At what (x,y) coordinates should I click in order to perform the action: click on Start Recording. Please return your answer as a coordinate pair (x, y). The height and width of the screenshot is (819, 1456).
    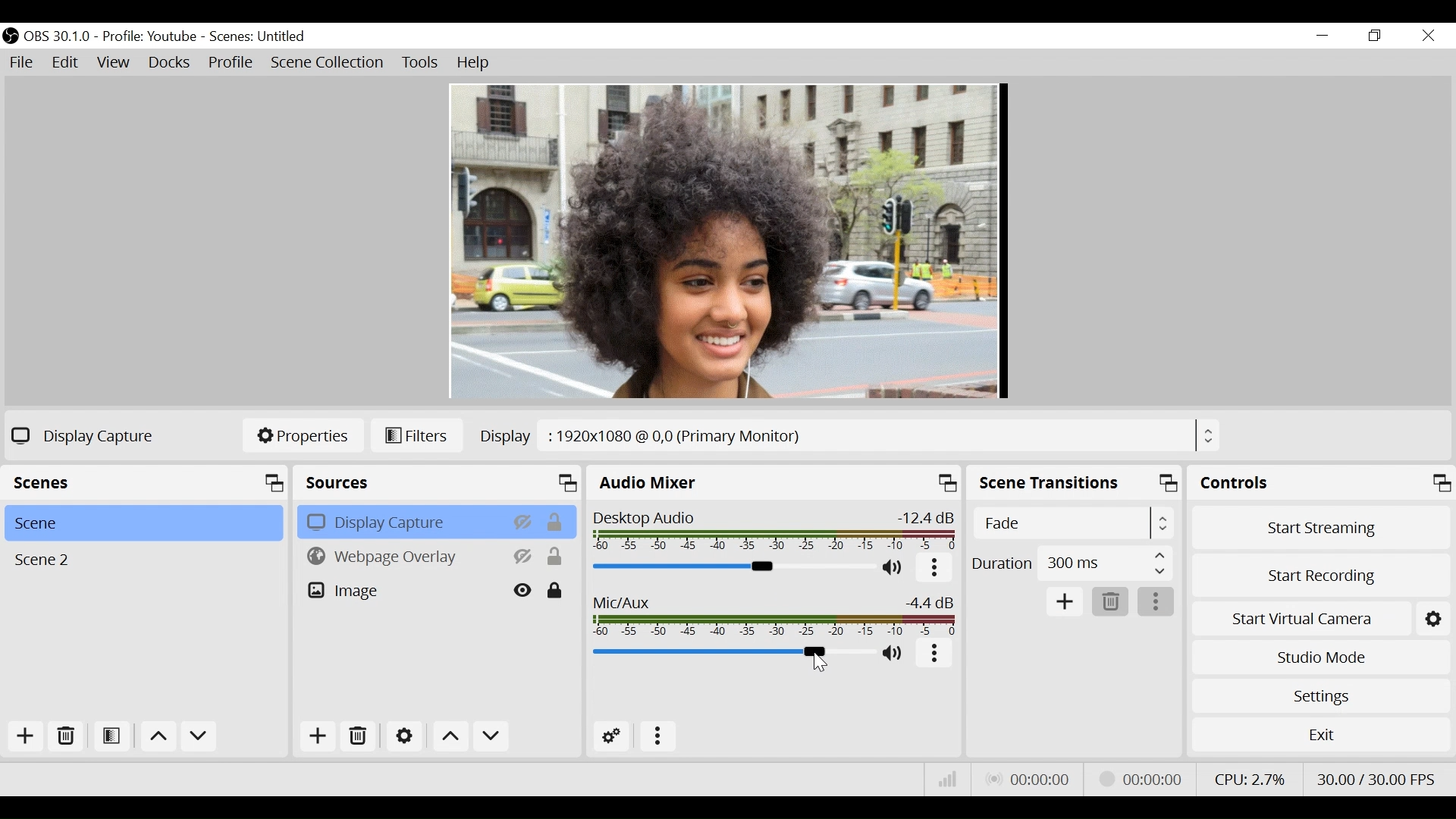
    Looking at the image, I should click on (1318, 578).